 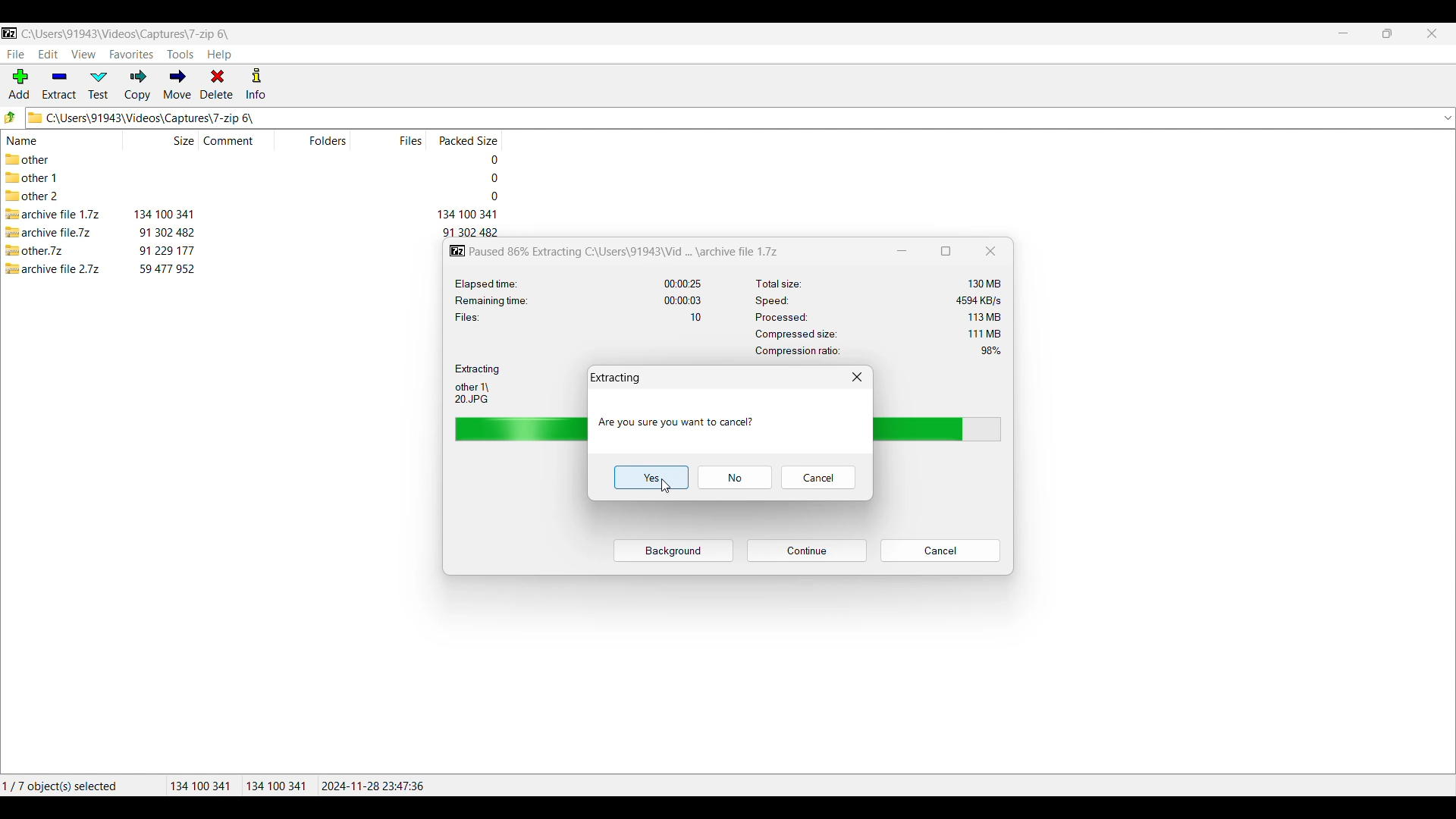 I want to click on Tools menu, so click(x=180, y=55).